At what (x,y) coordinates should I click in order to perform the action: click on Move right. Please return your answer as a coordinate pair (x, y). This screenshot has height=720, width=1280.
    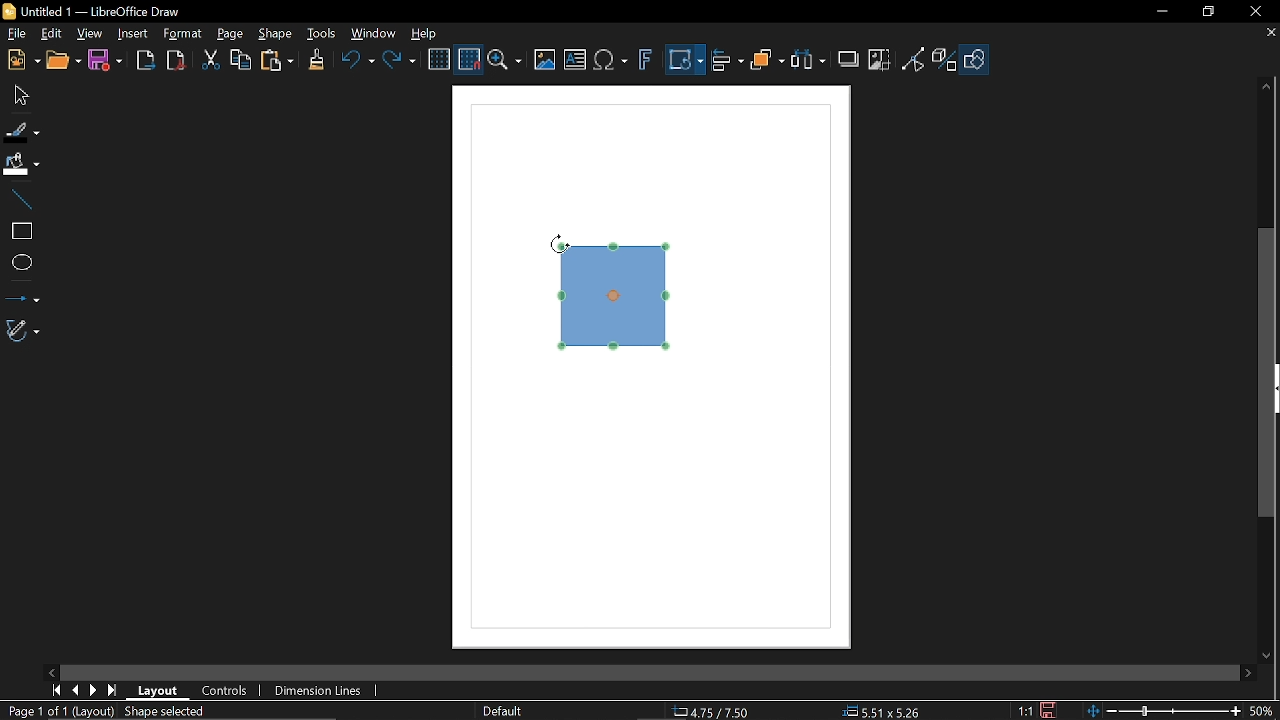
    Looking at the image, I should click on (1245, 673).